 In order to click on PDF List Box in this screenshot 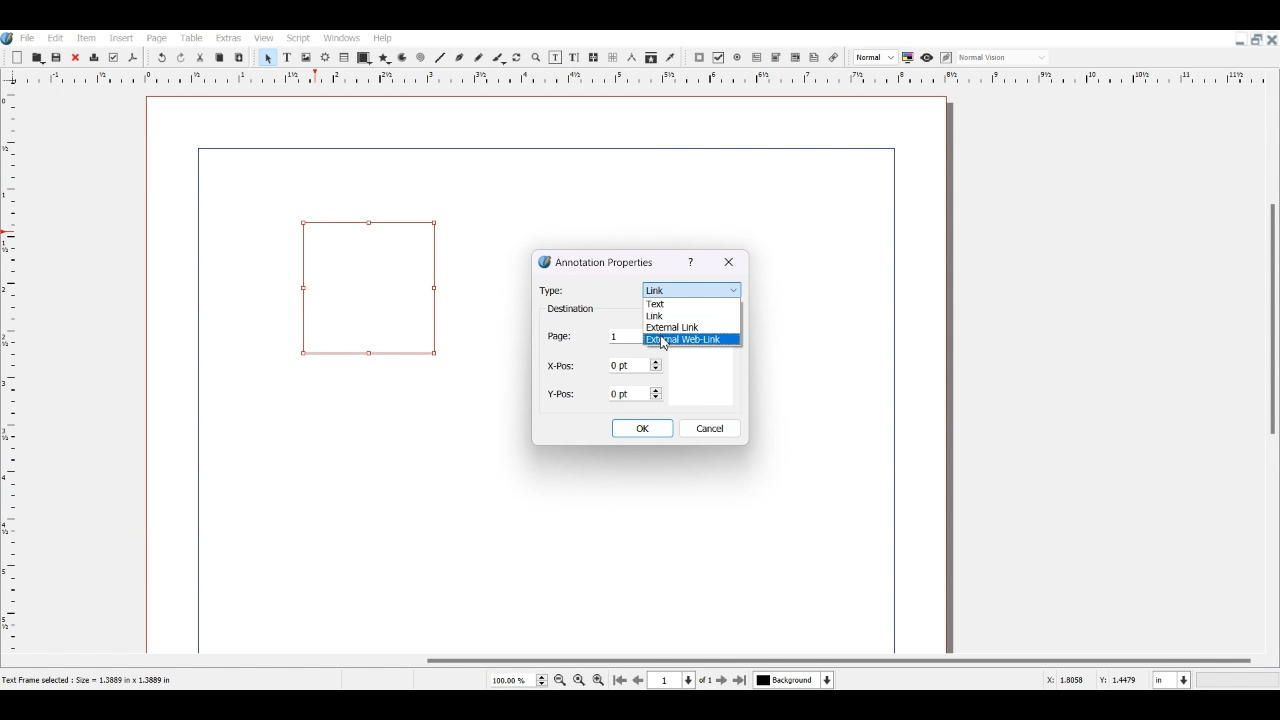, I will do `click(795, 58)`.